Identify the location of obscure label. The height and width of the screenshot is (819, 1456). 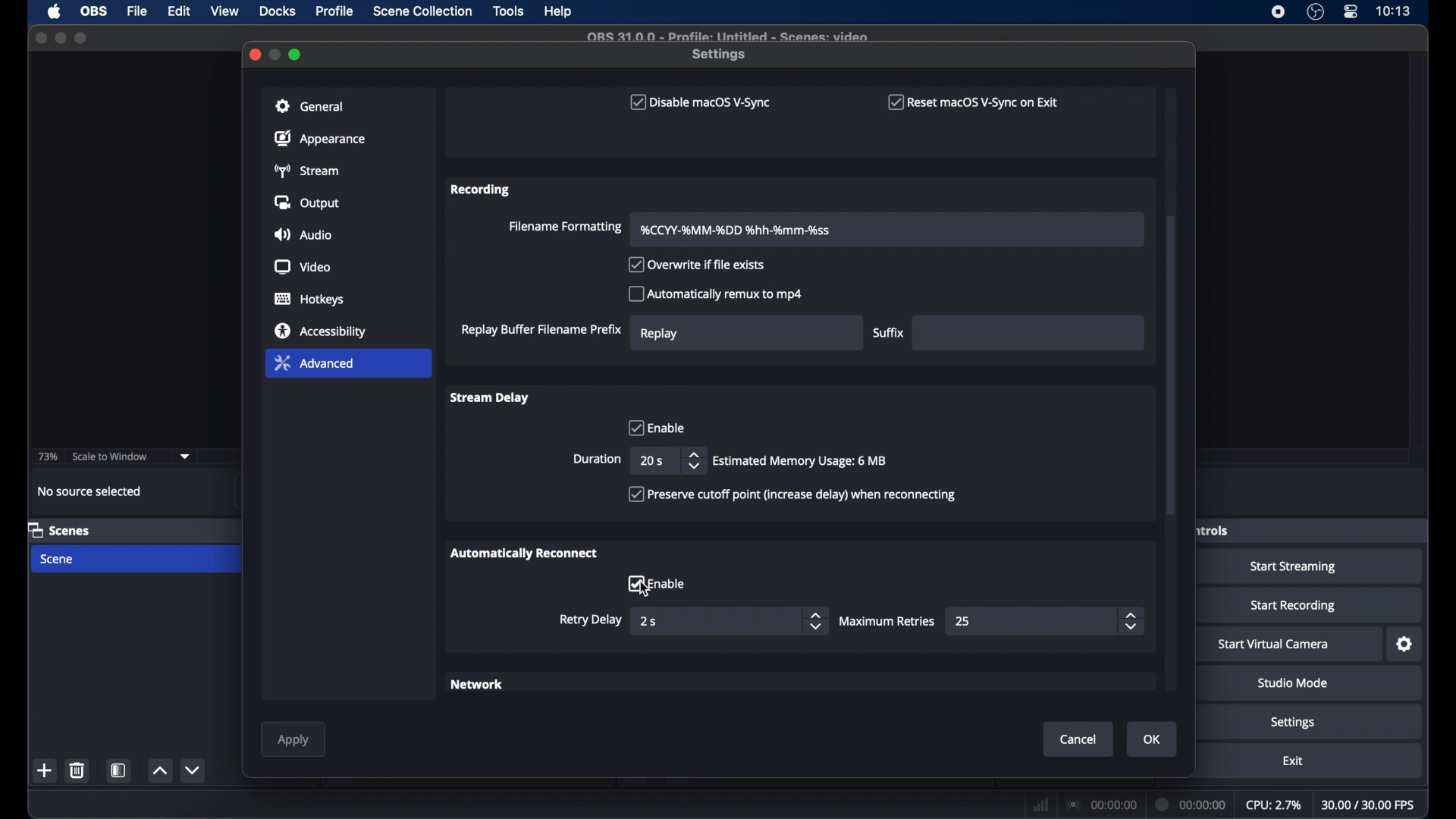
(1210, 529).